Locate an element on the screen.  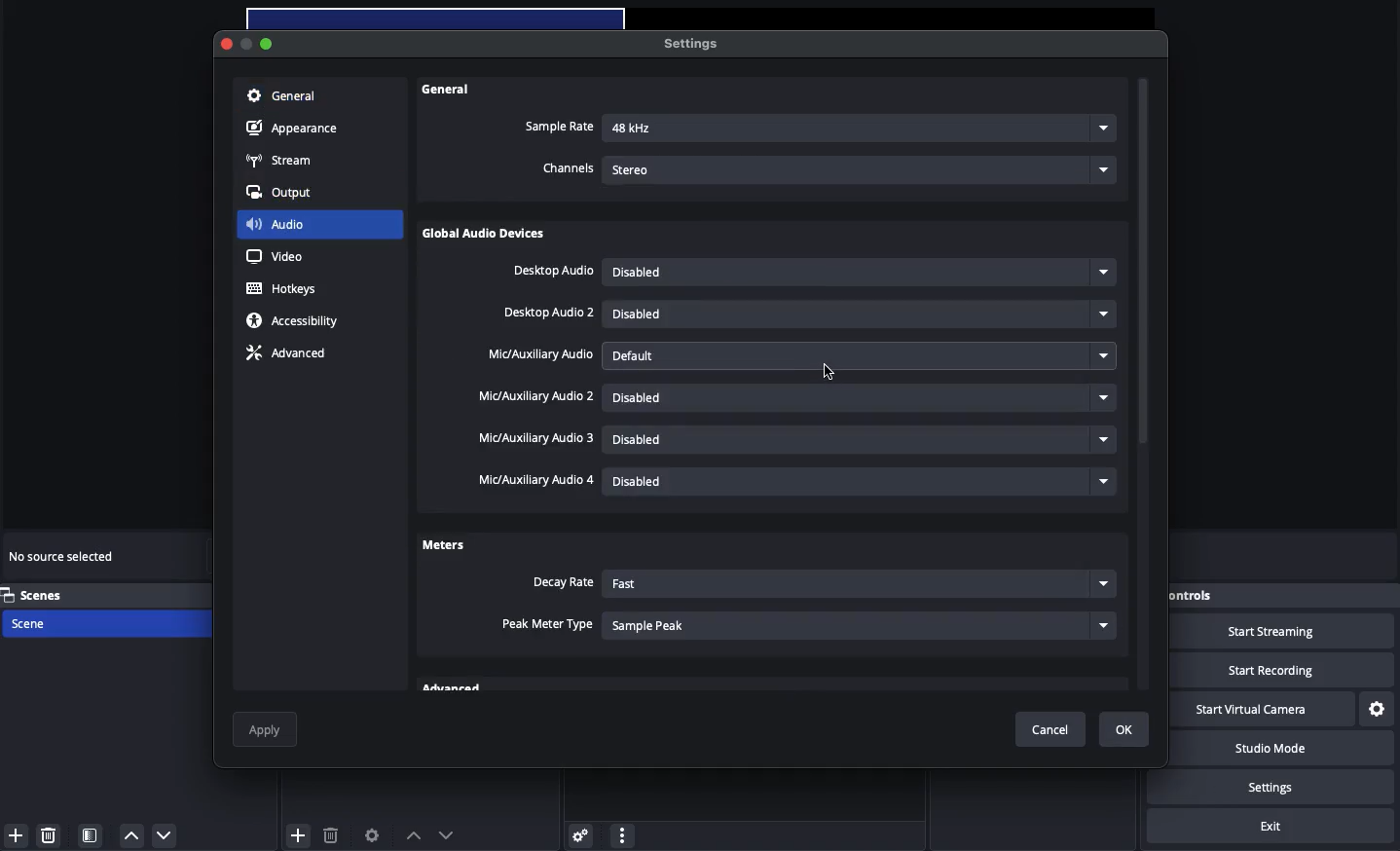
Cursor is located at coordinates (830, 374).